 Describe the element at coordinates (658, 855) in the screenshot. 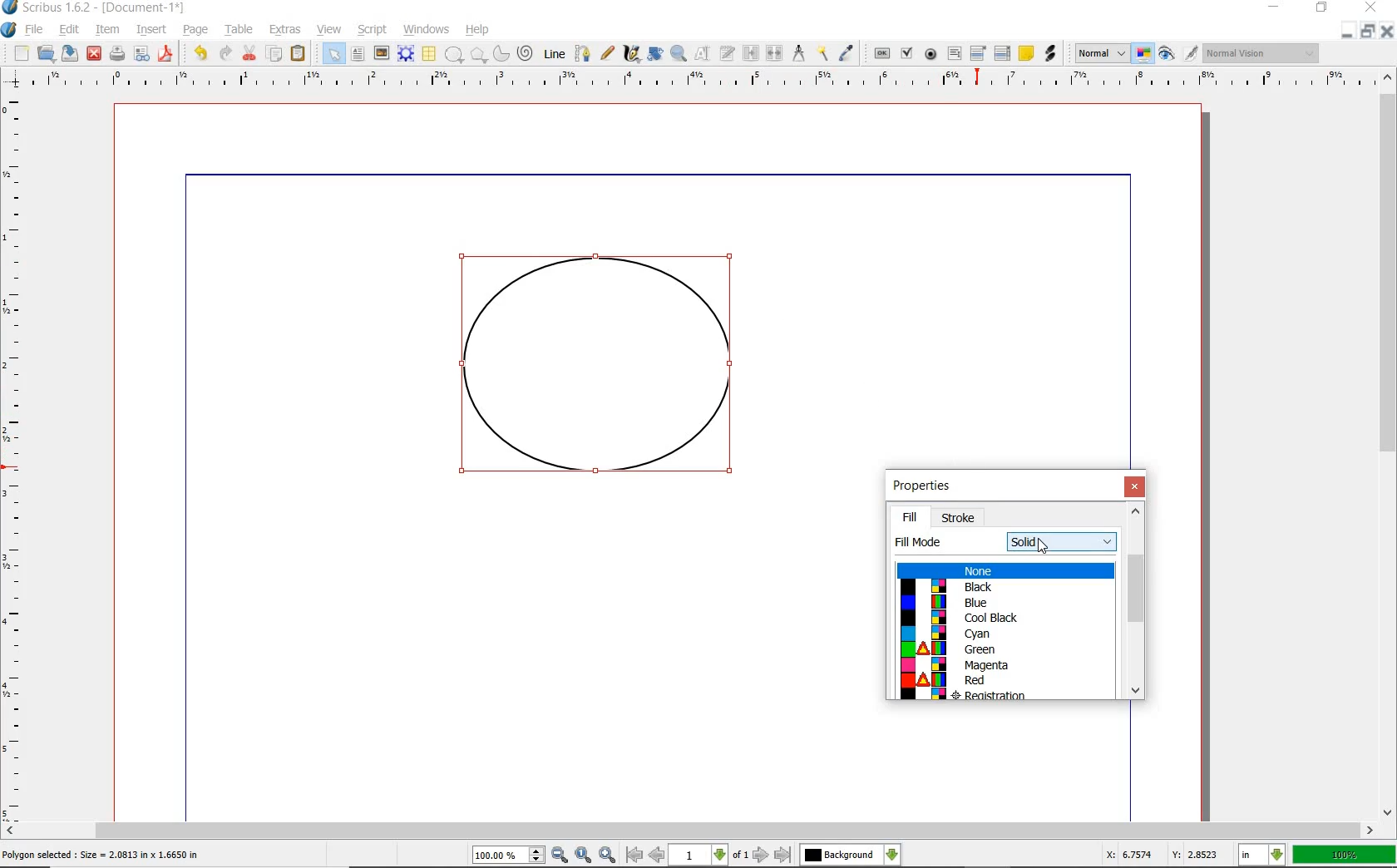

I see `previous` at that location.